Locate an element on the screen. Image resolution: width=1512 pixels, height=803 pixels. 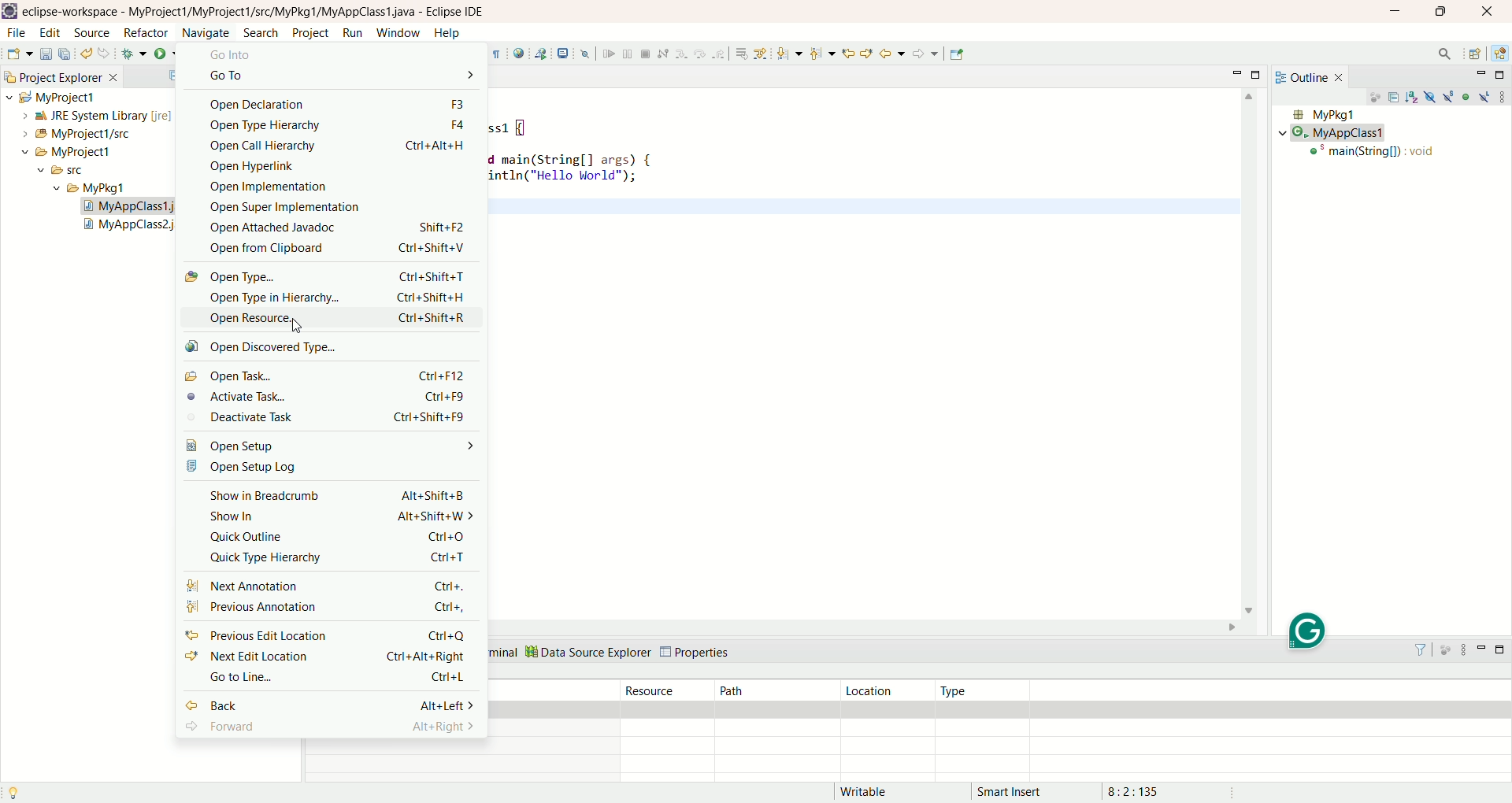
source is located at coordinates (94, 34).